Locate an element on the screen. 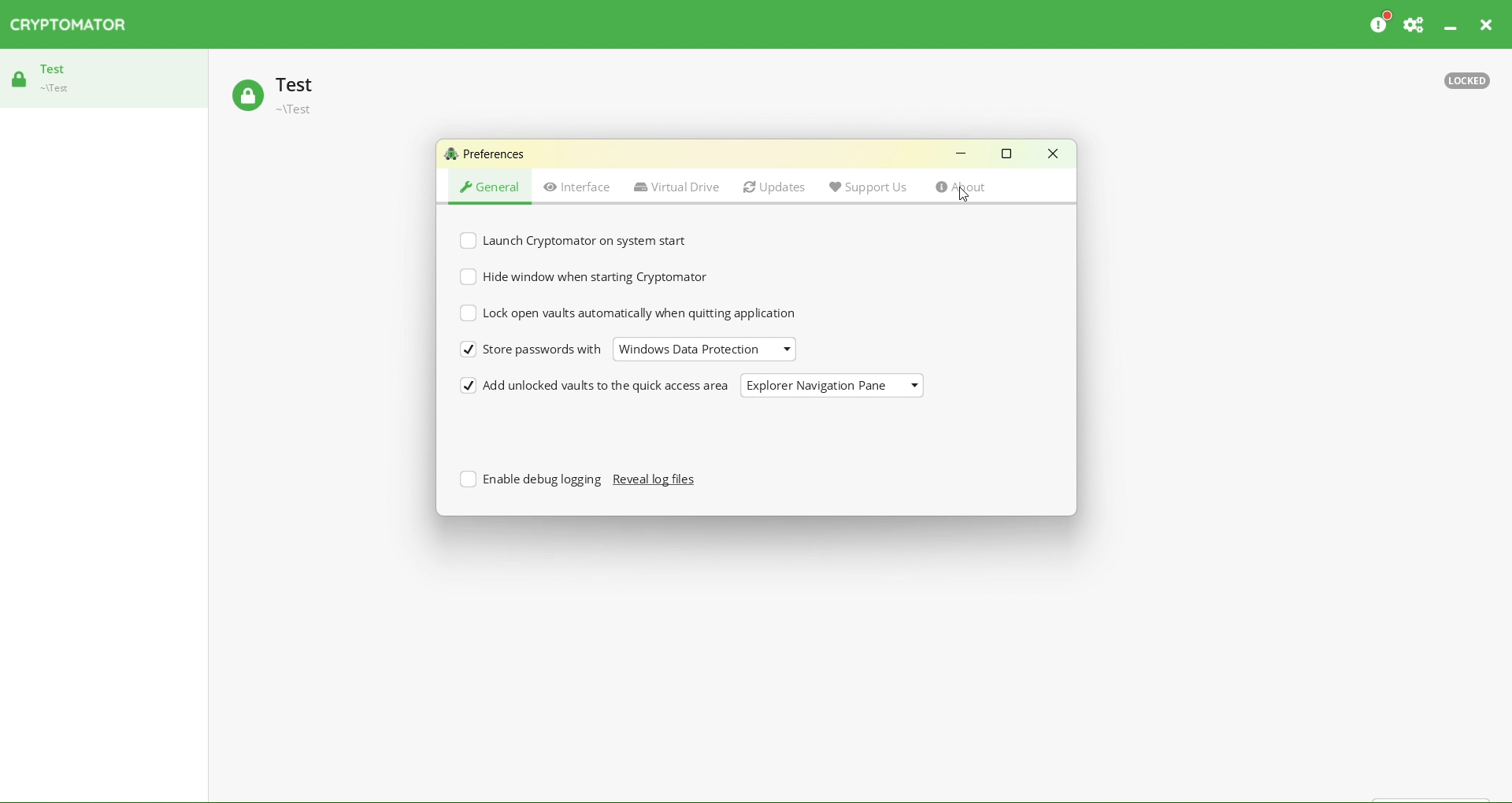  Hide window when starting cryptomator is located at coordinates (587, 276).